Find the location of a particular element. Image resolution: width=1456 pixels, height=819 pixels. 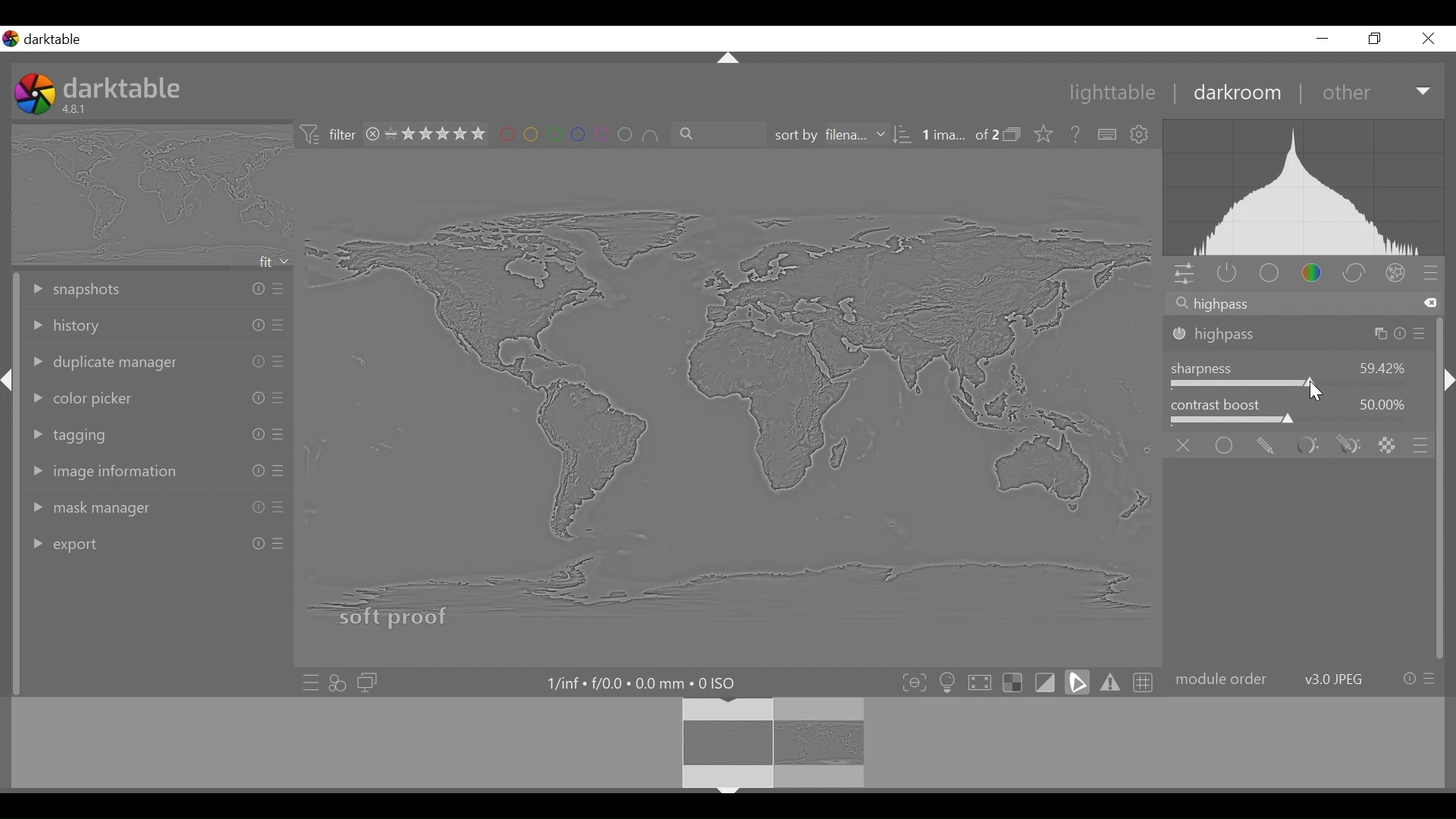

show active modules  is located at coordinates (1225, 275).